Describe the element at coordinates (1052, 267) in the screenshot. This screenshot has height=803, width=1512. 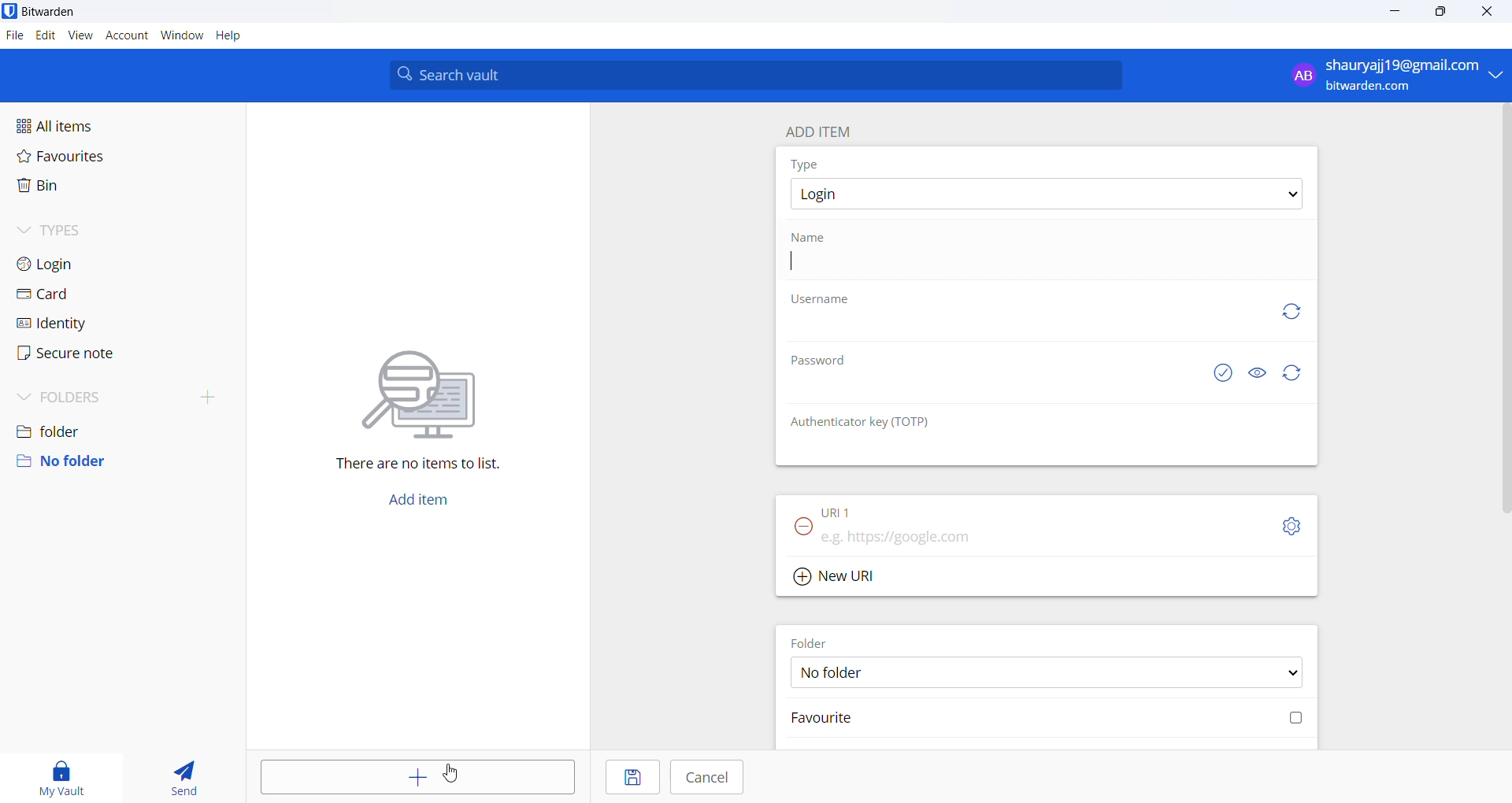
I see `name input box` at that location.